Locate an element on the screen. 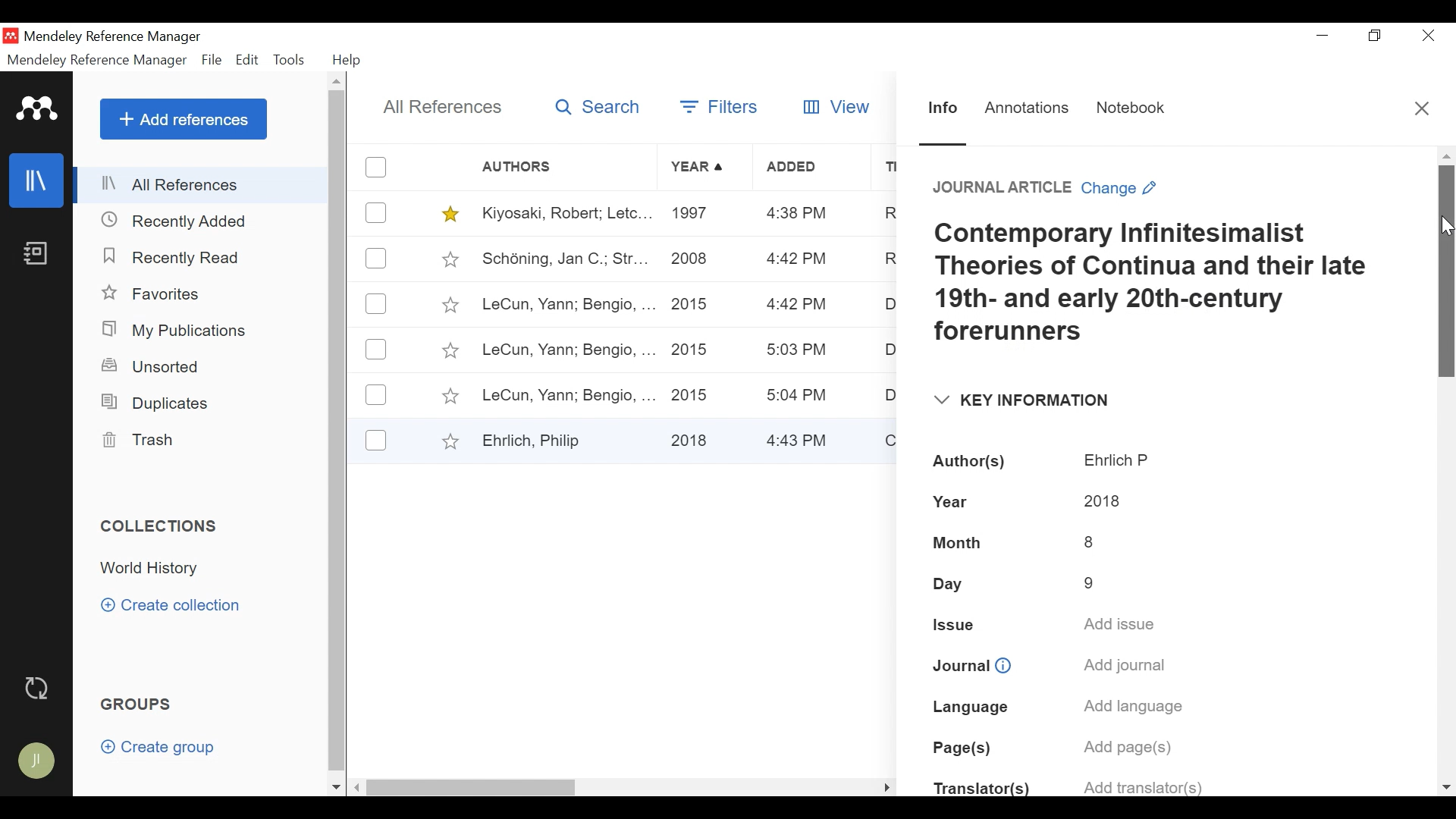 The width and height of the screenshot is (1456, 819). scroll down is located at coordinates (1445, 786).